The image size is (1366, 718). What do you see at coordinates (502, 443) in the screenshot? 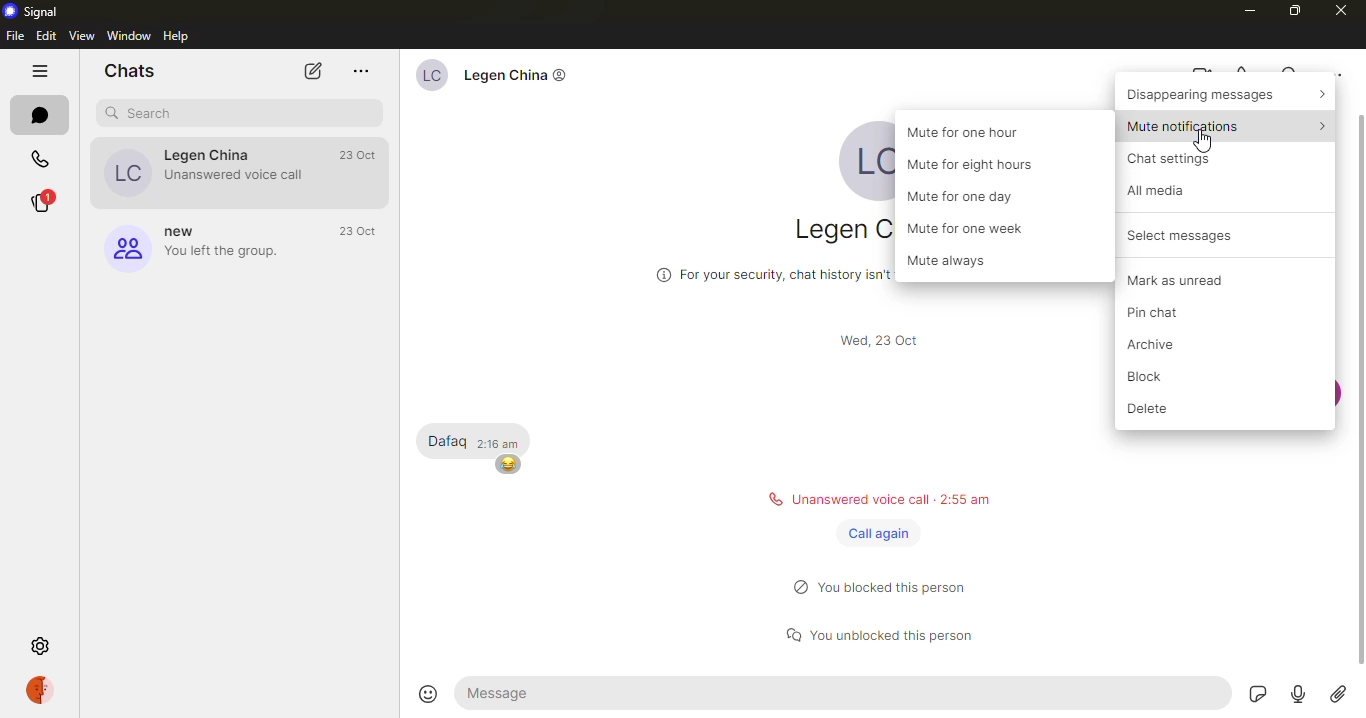
I see `time` at bounding box center [502, 443].